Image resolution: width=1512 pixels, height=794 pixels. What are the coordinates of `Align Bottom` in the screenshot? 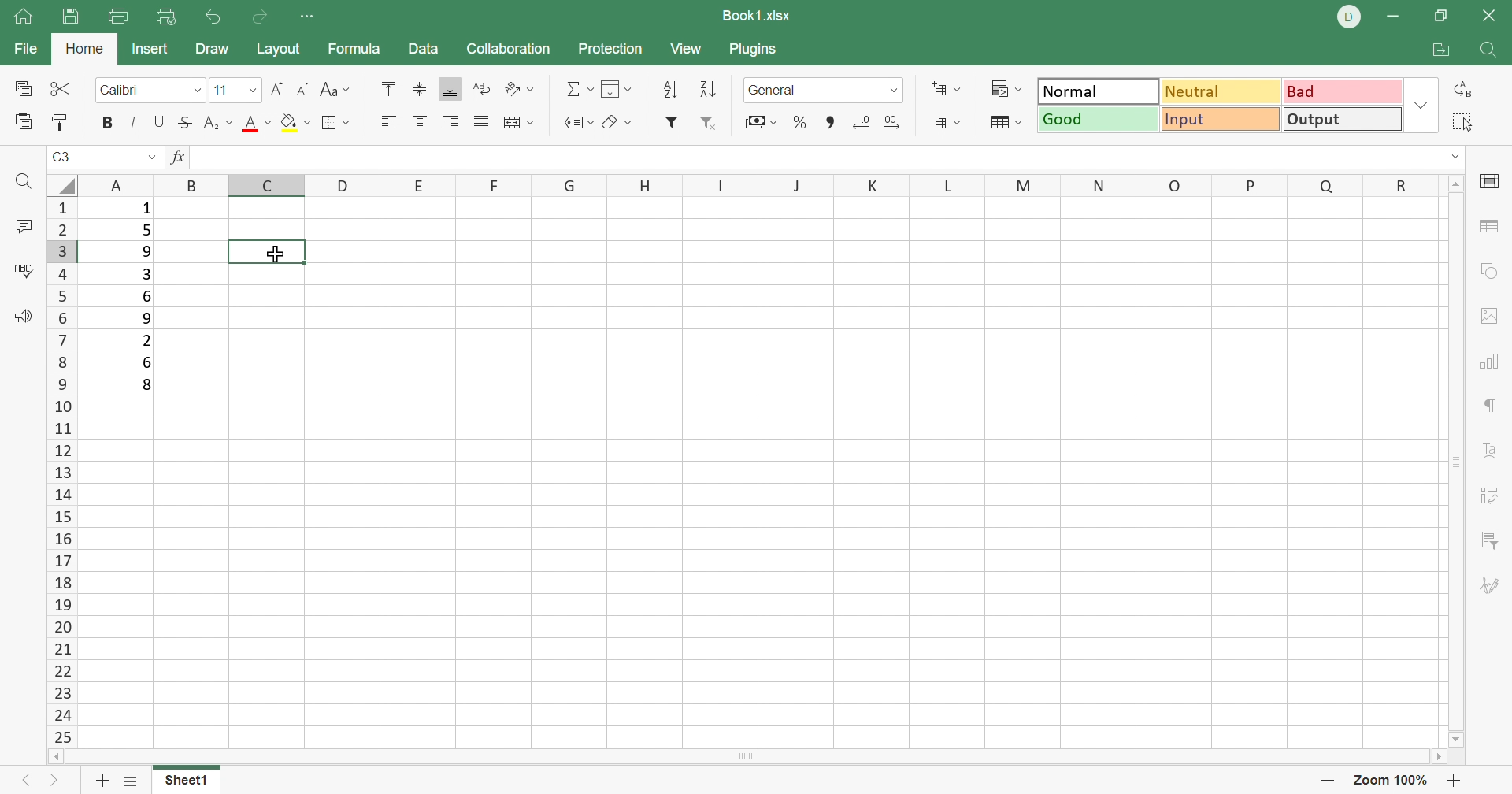 It's located at (451, 90).